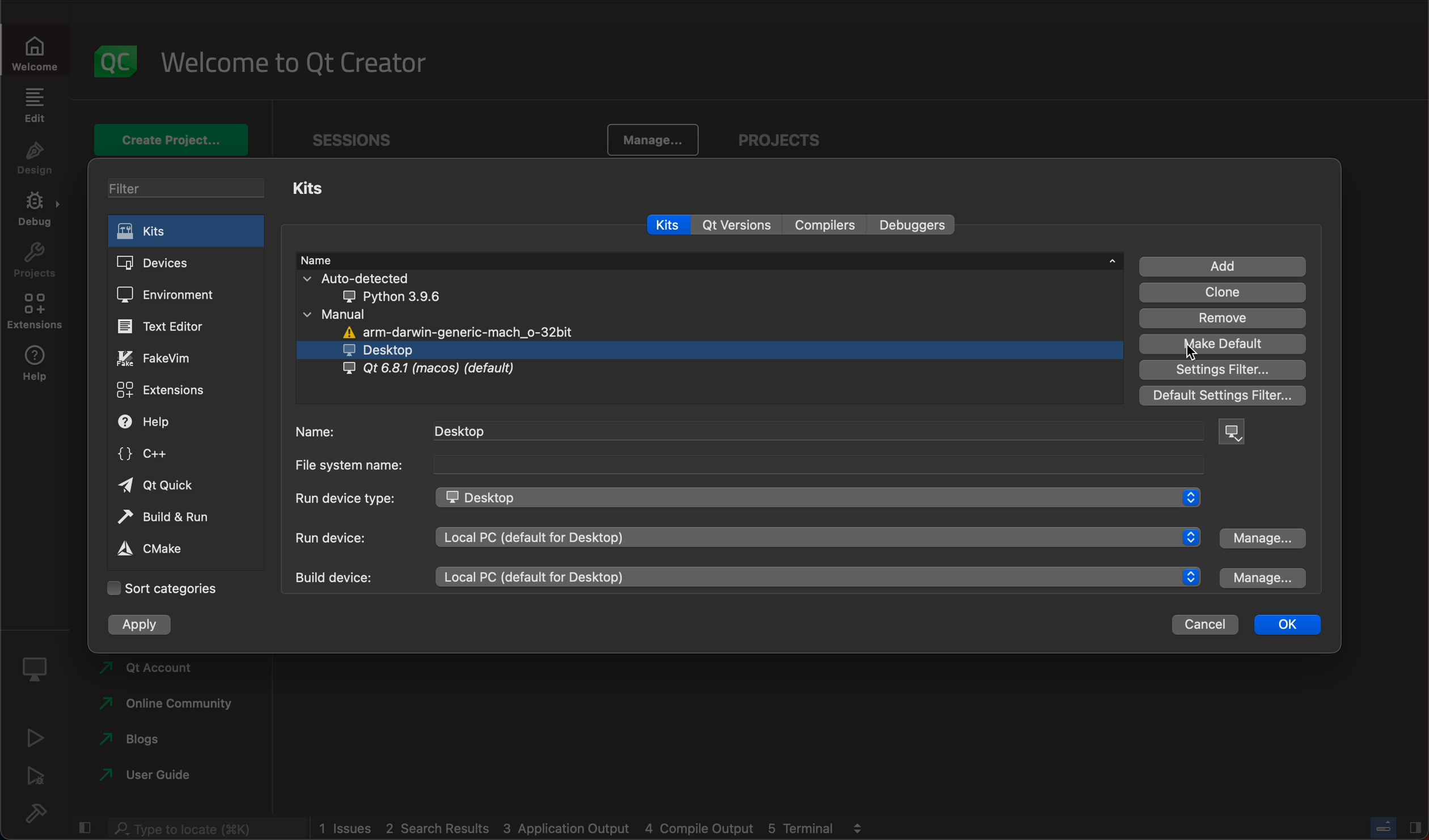 This screenshot has width=1429, height=840. What do you see at coordinates (1223, 370) in the screenshot?
I see `settings filter` at bounding box center [1223, 370].